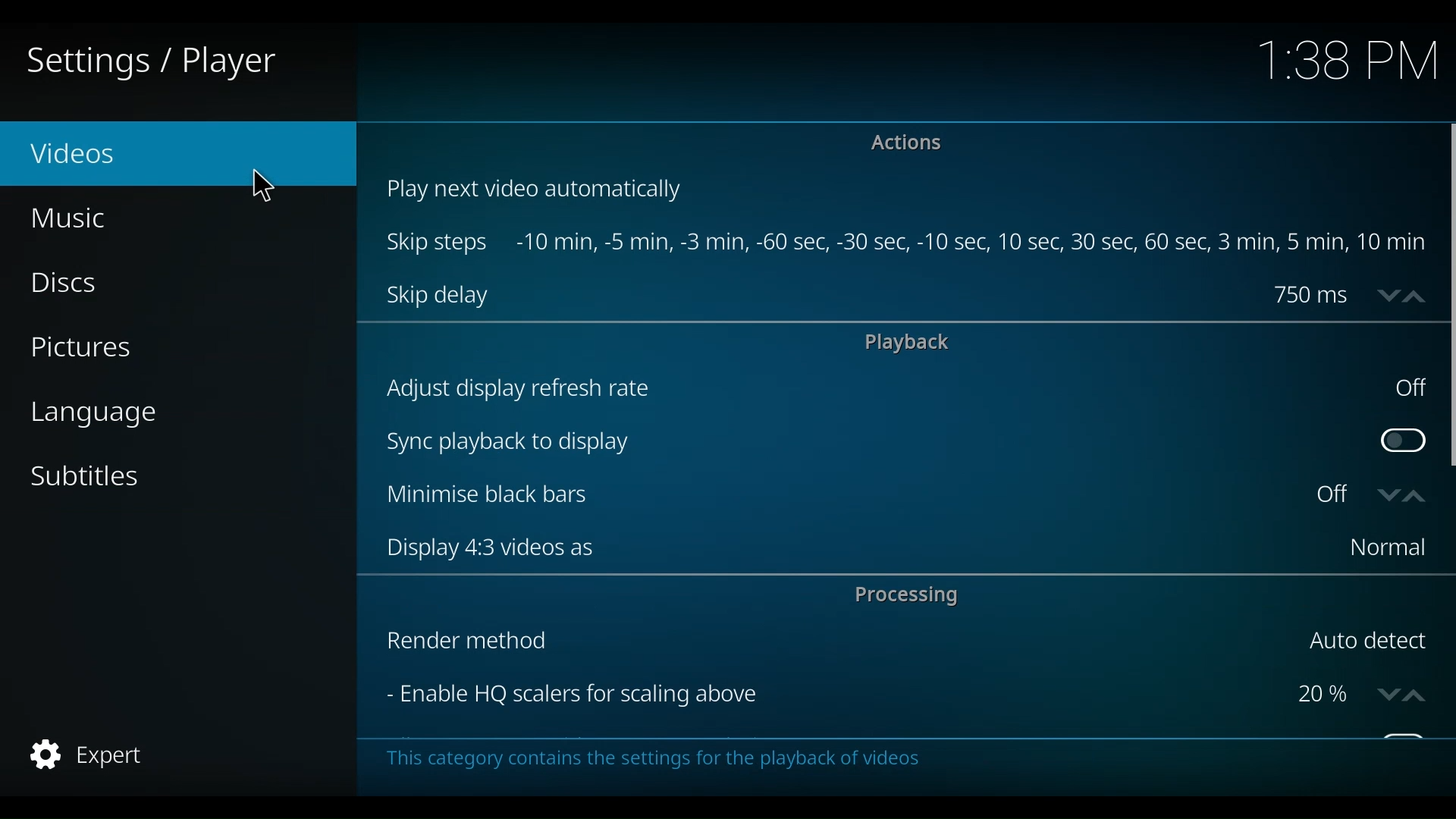  Describe the element at coordinates (875, 392) in the screenshot. I see `Adjust display refresh rate` at that location.